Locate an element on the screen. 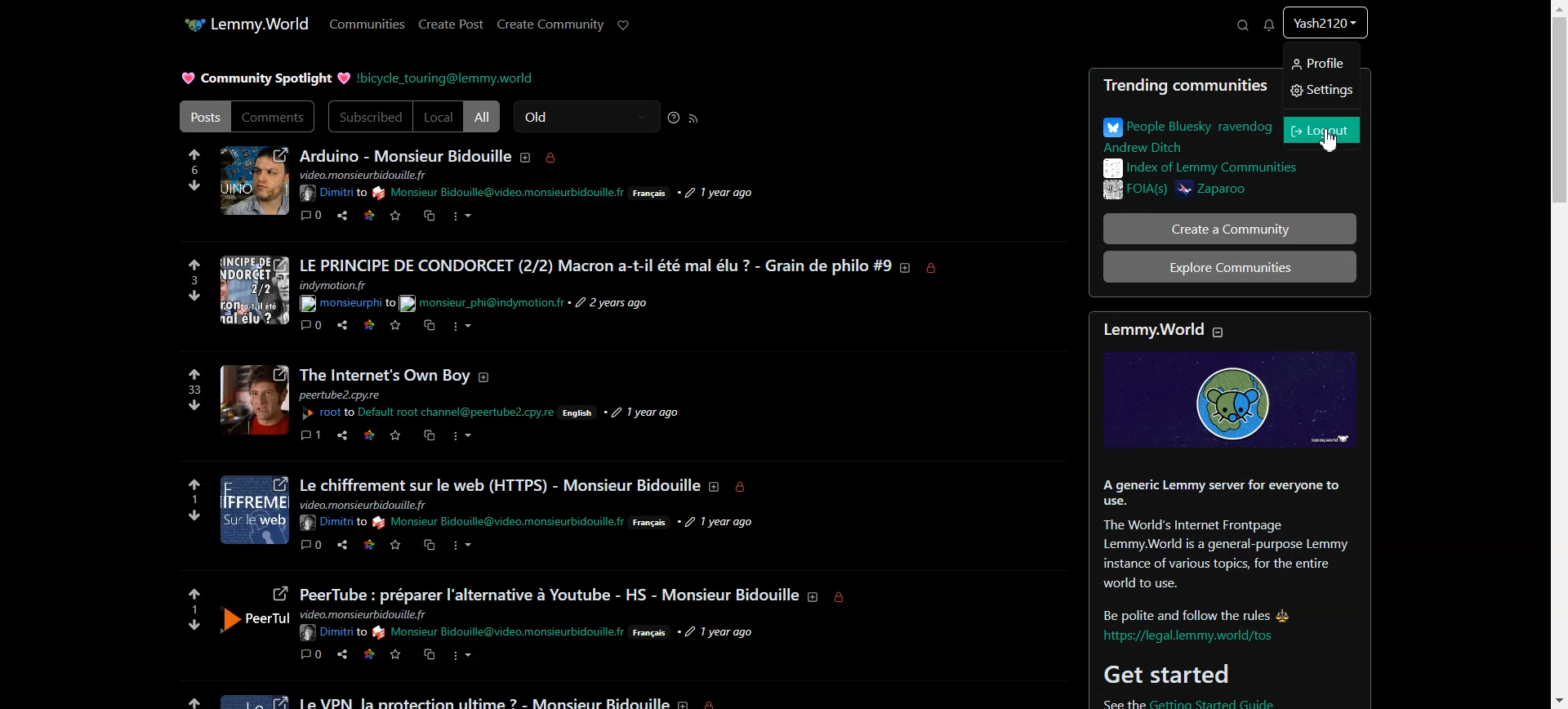 Image resolution: width=1568 pixels, height=709 pixels. Locked is located at coordinates (552, 158).